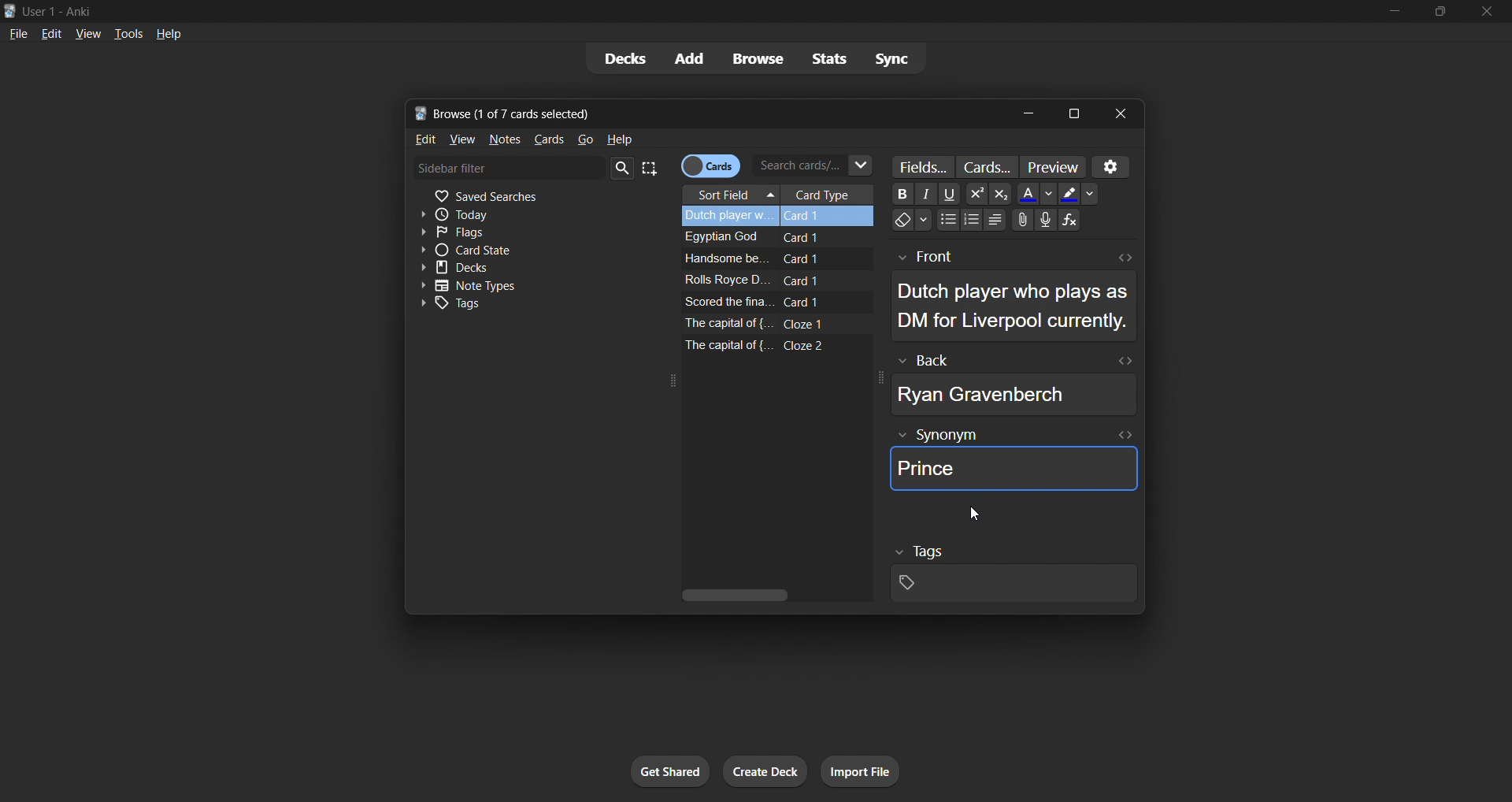 Image resolution: width=1512 pixels, height=802 pixels. I want to click on Numbering, so click(970, 221).